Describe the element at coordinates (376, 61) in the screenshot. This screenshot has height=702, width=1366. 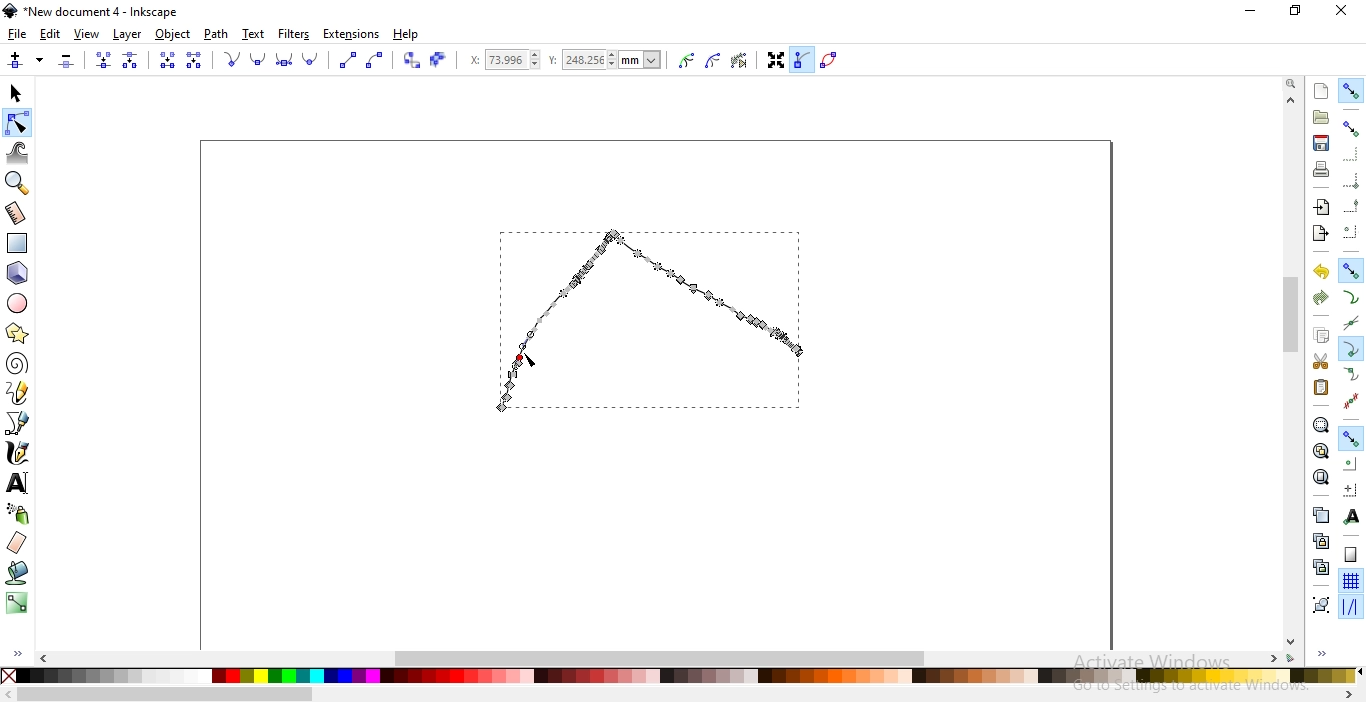
I see `make selected segments curve` at that location.